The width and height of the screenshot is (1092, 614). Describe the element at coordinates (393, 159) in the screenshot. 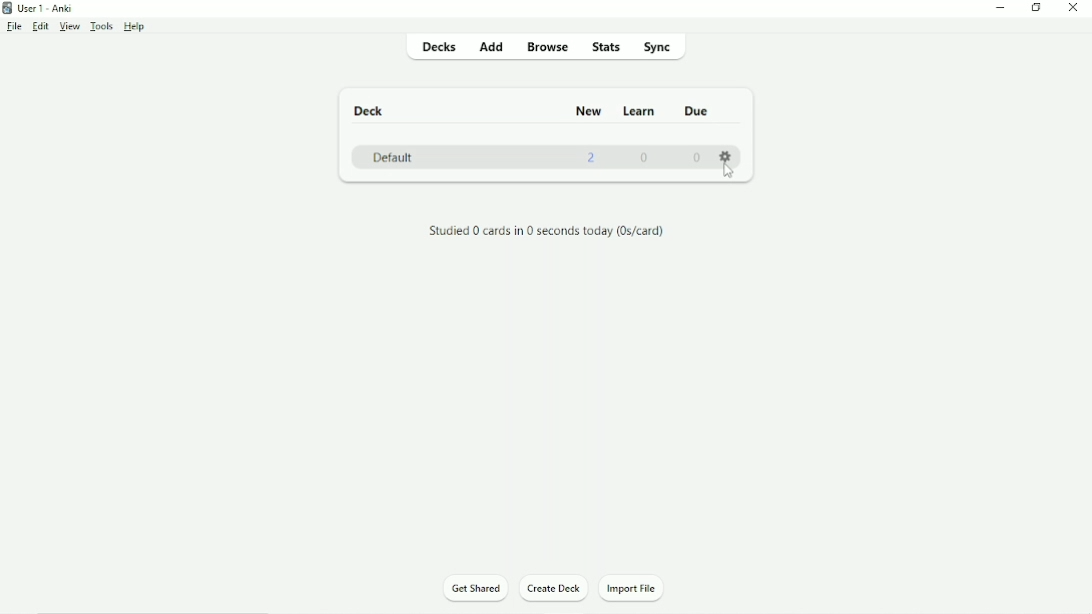

I see `Default` at that location.